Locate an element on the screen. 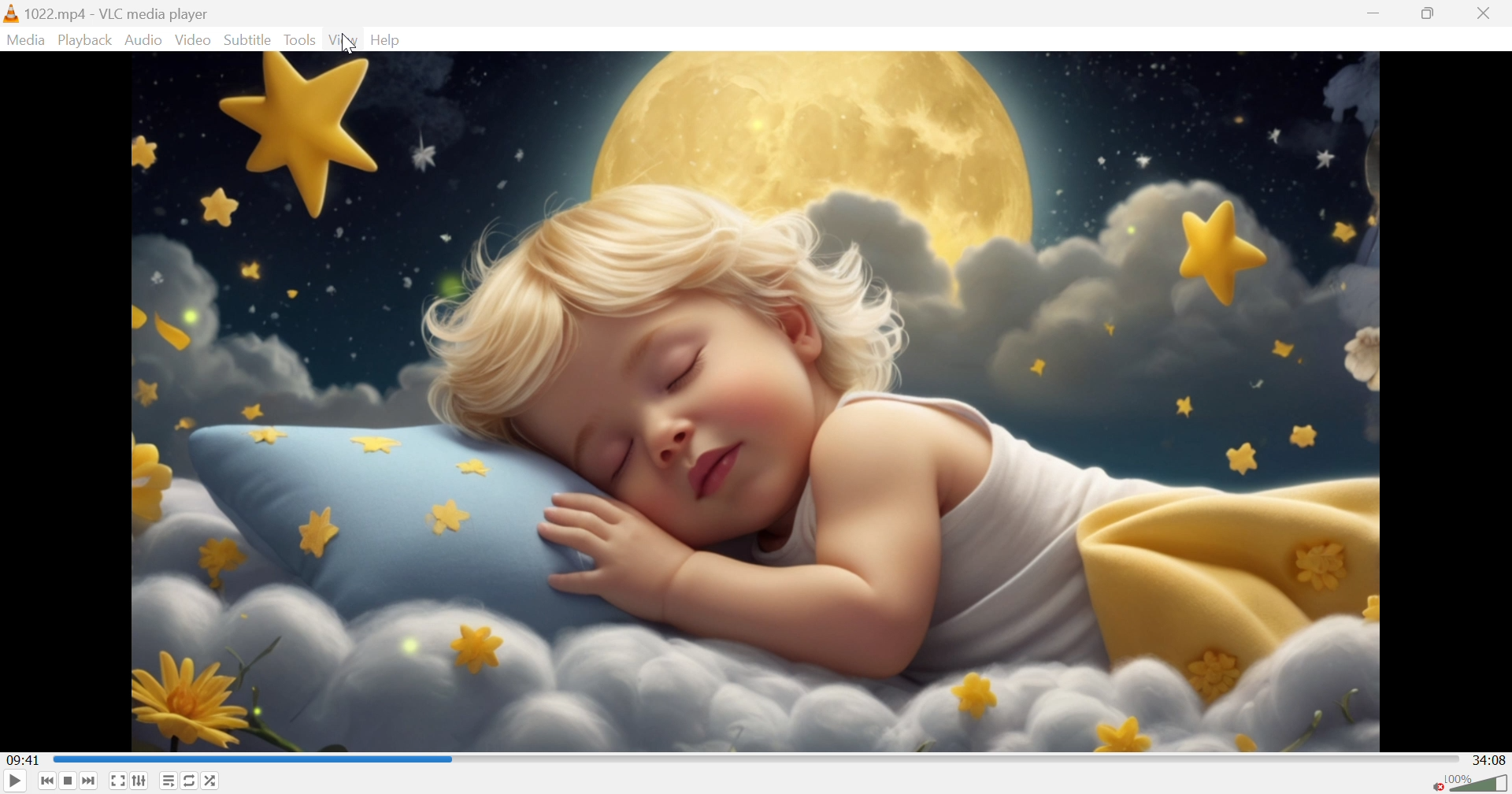  Minimize is located at coordinates (1373, 13).